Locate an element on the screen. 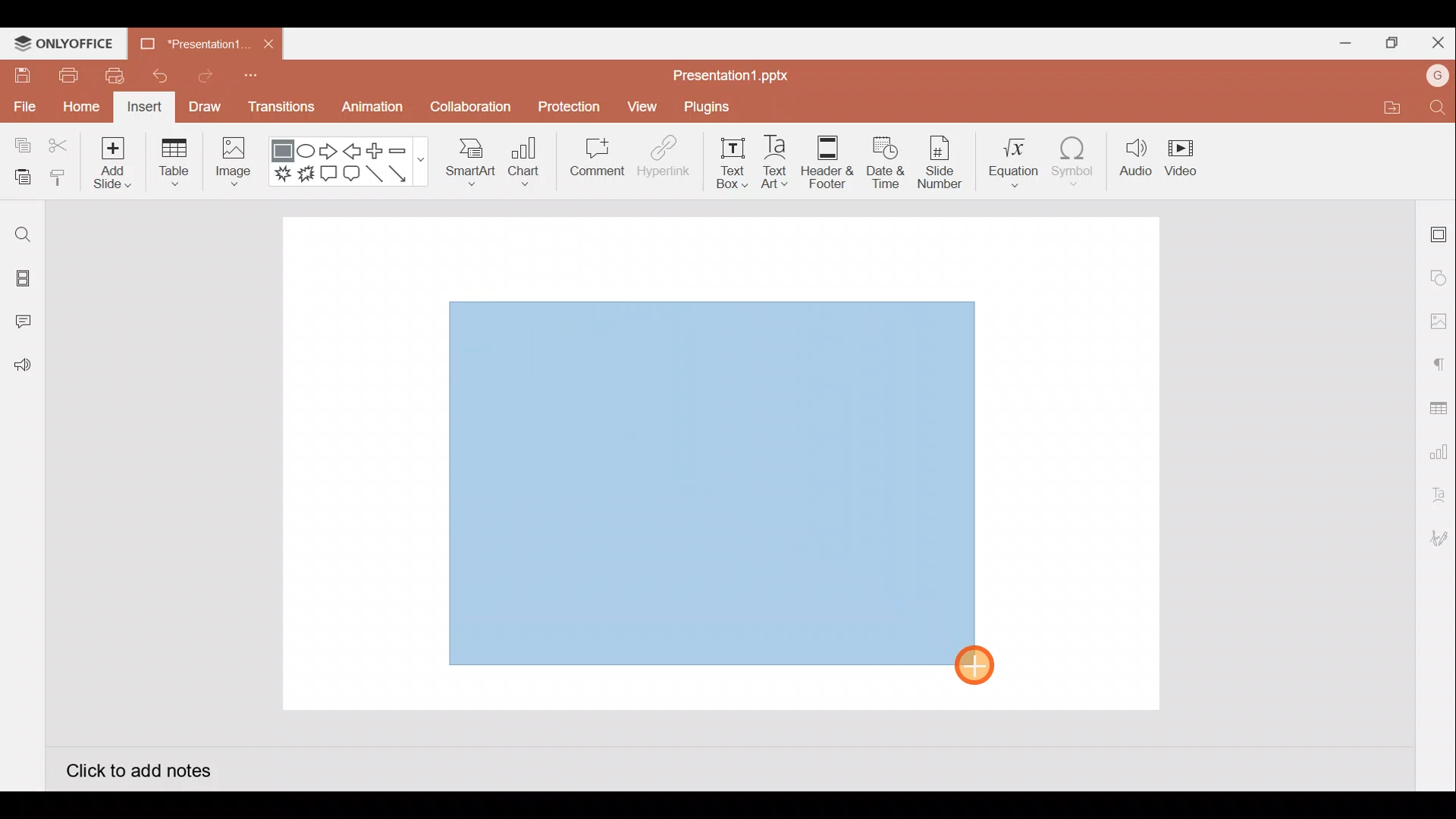 This screenshot has width=1456, height=819. Comment is located at coordinates (591, 160).